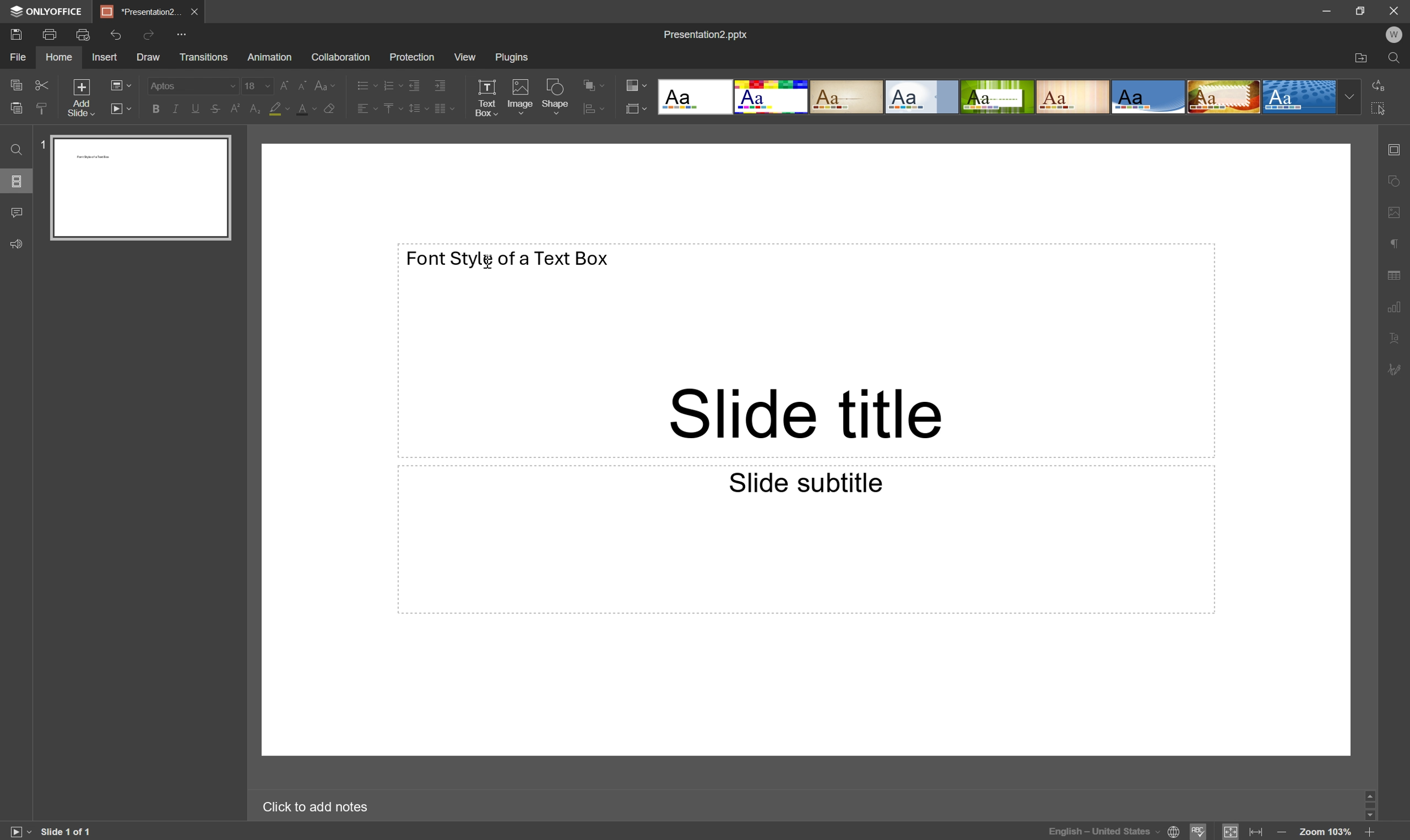  I want to click on Arrange shape, so click(593, 83).